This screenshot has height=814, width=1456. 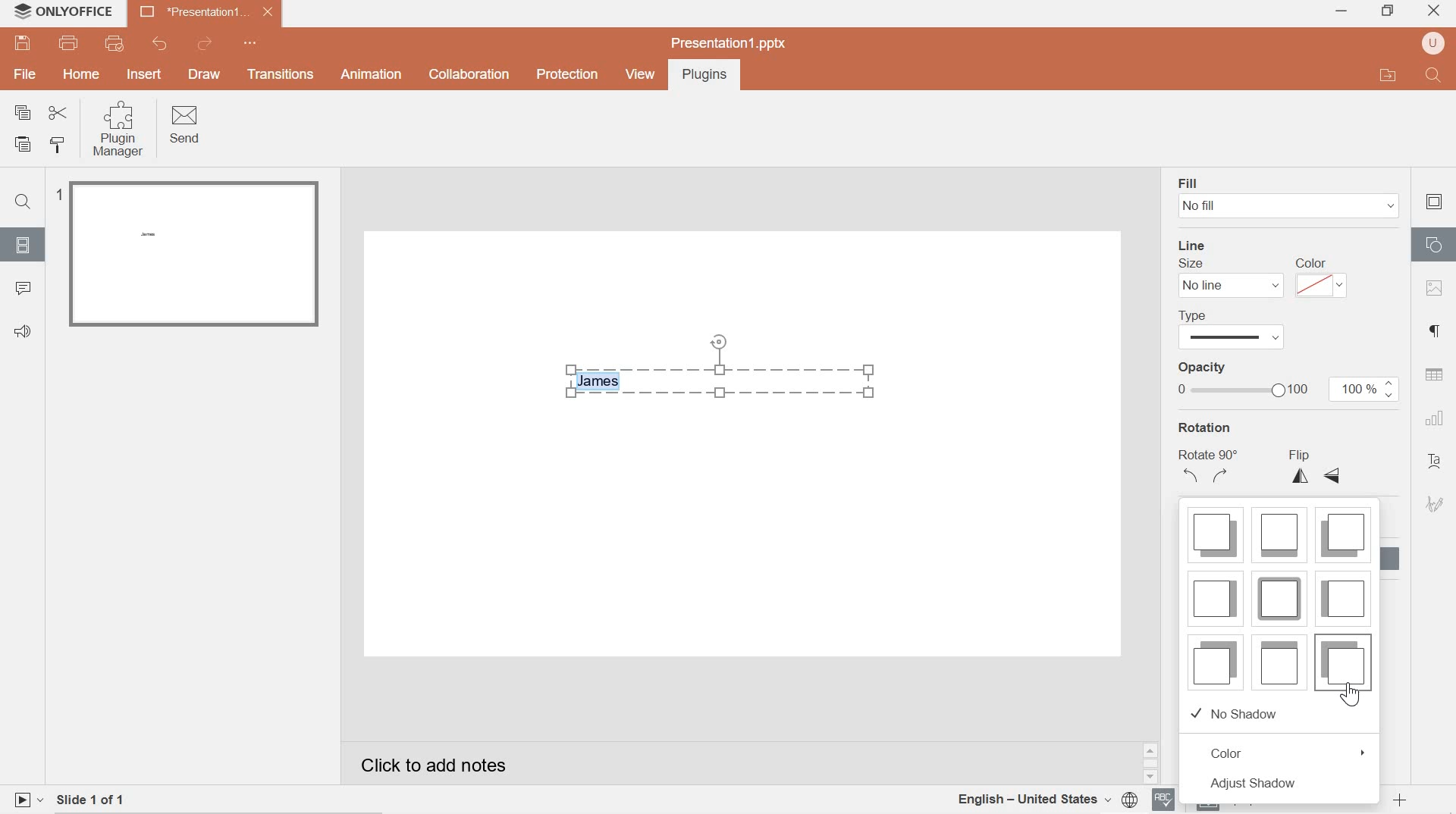 What do you see at coordinates (187, 126) in the screenshot?
I see `Send` at bounding box center [187, 126].